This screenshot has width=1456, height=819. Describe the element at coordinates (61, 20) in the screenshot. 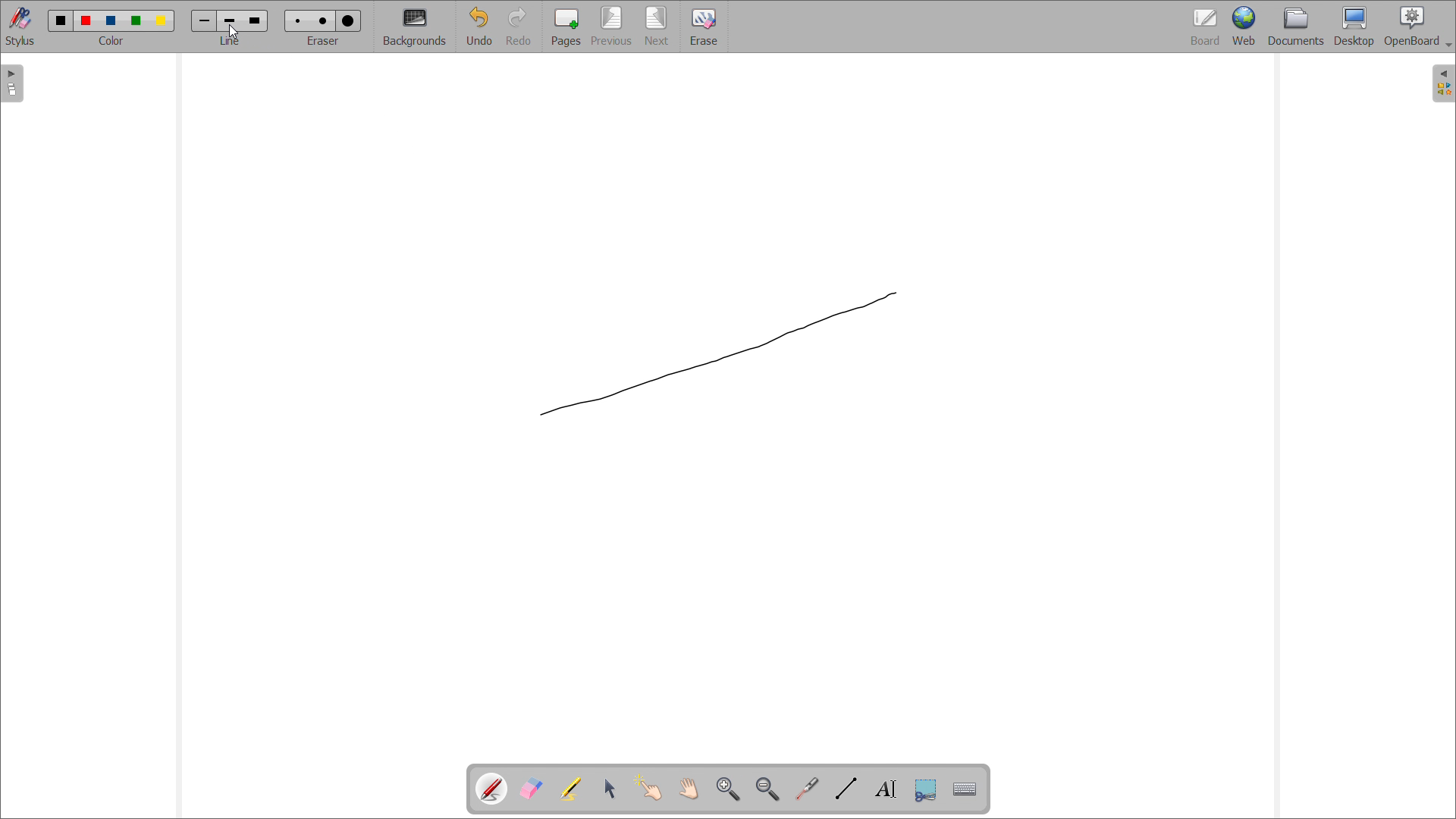

I see `color` at that location.